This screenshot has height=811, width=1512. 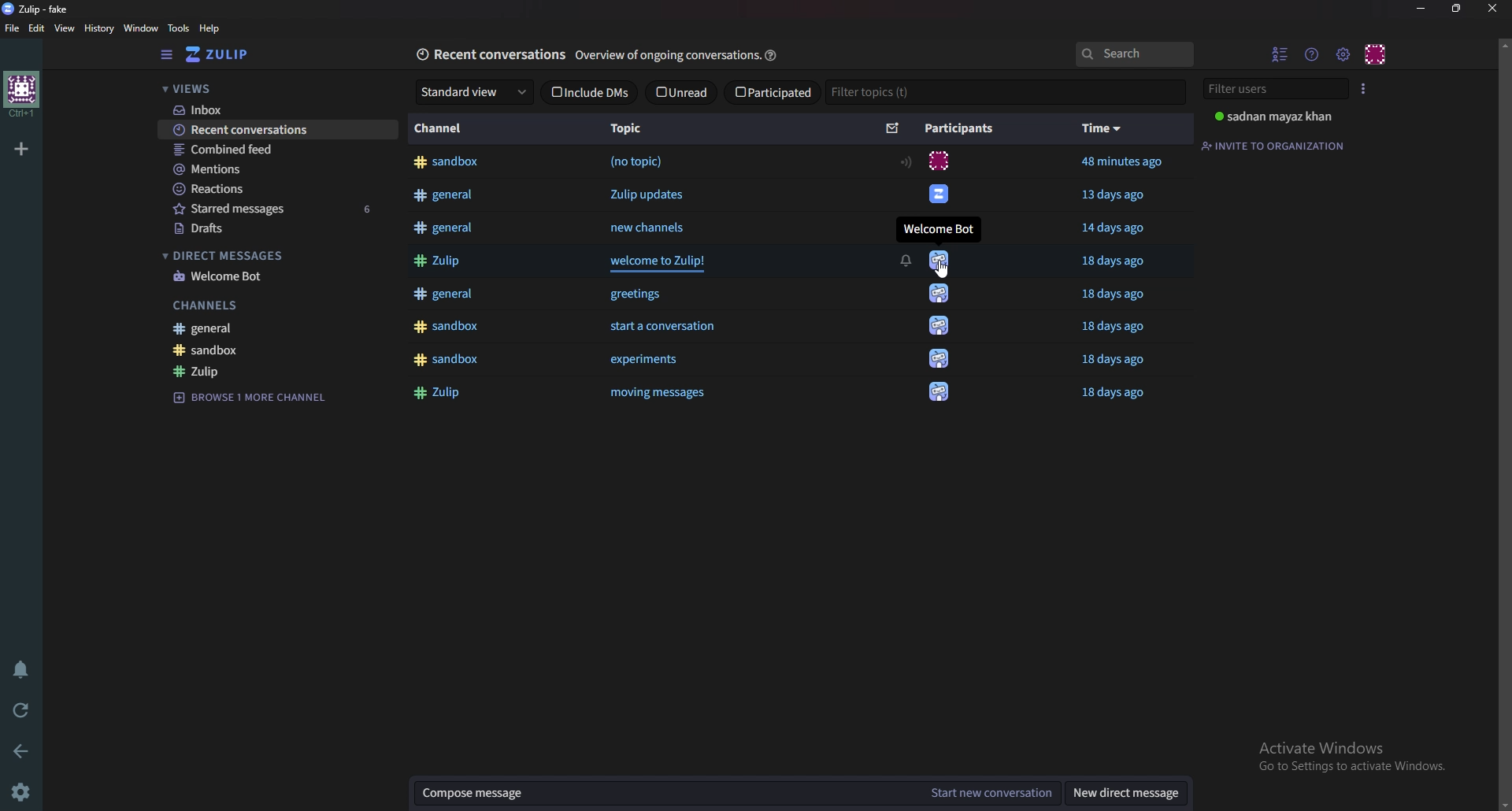 I want to click on New direct message, so click(x=1126, y=795).